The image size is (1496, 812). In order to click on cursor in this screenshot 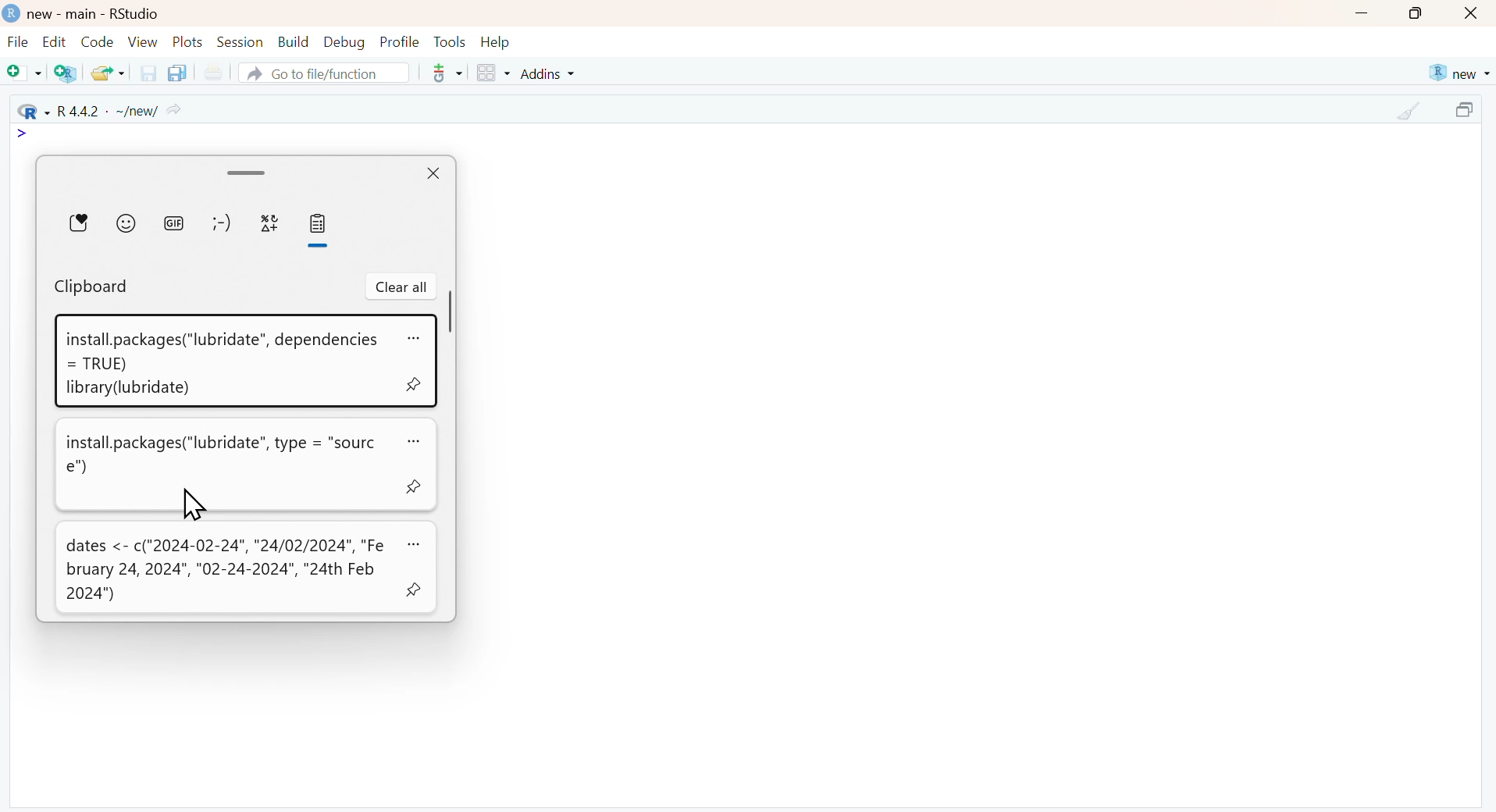, I will do `click(192, 504)`.